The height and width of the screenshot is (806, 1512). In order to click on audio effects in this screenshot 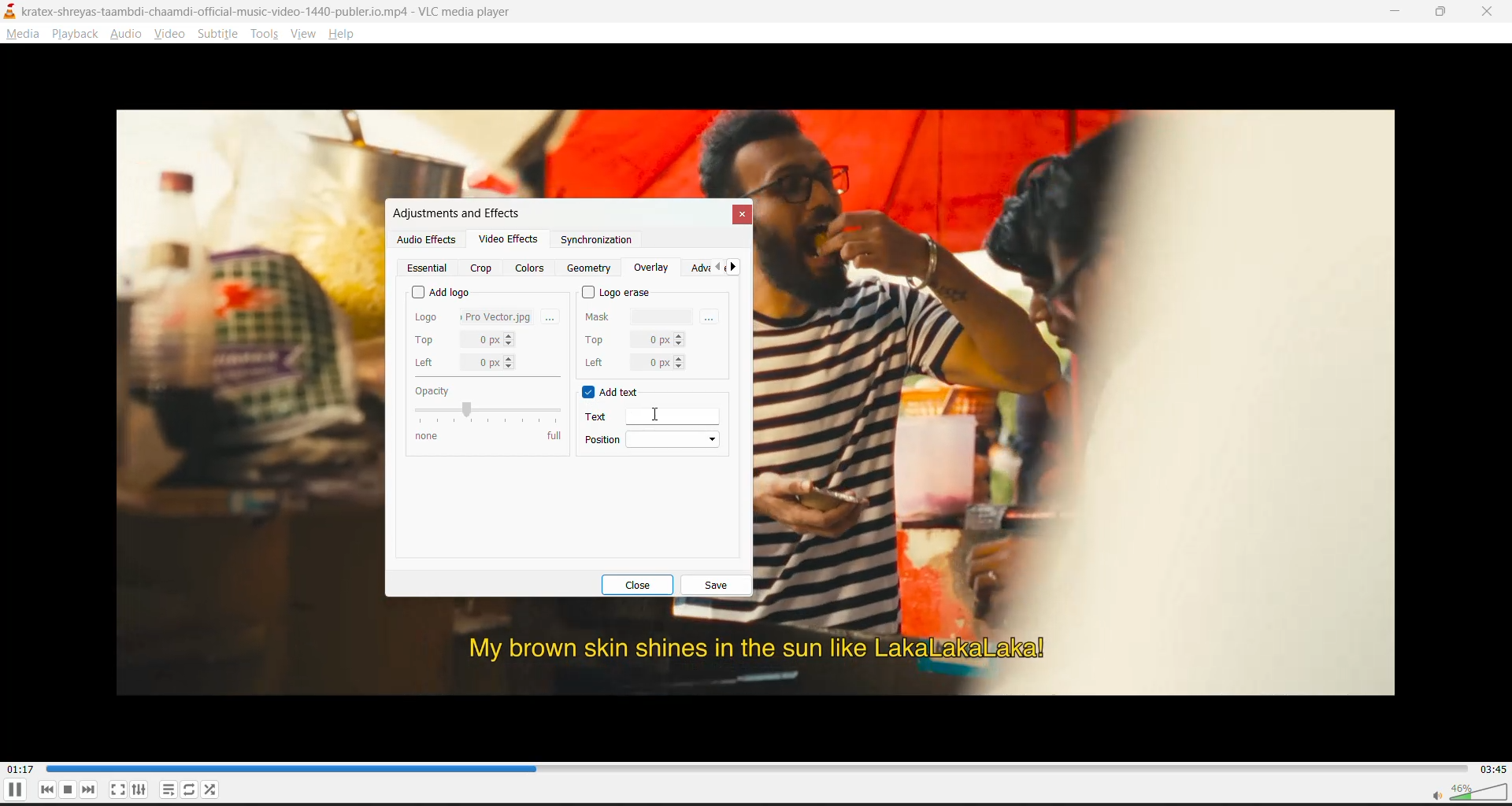, I will do `click(426, 239)`.